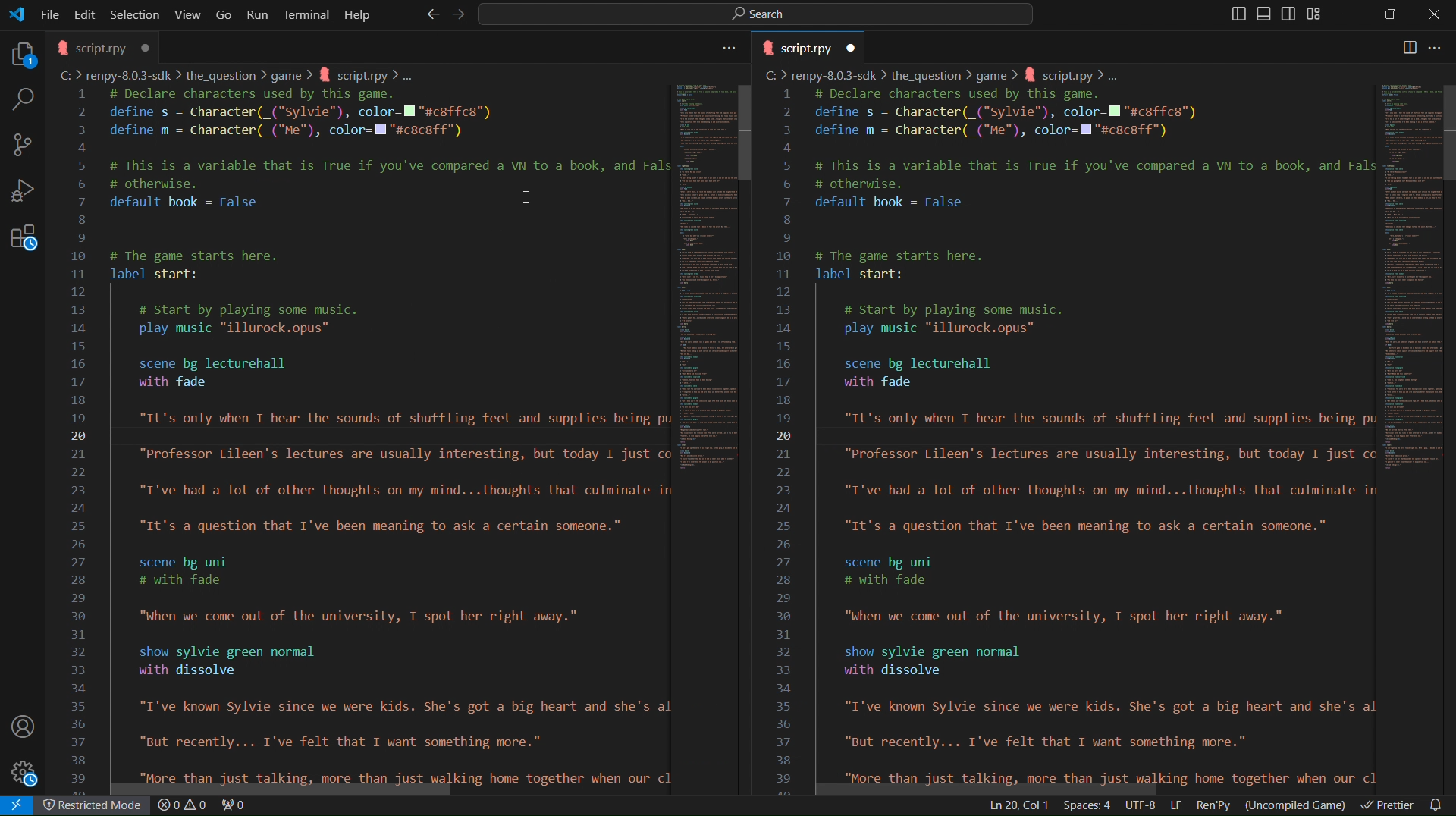  What do you see at coordinates (204, 806) in the screenshot?
I see `Errors` at bounding box center [204, 806].